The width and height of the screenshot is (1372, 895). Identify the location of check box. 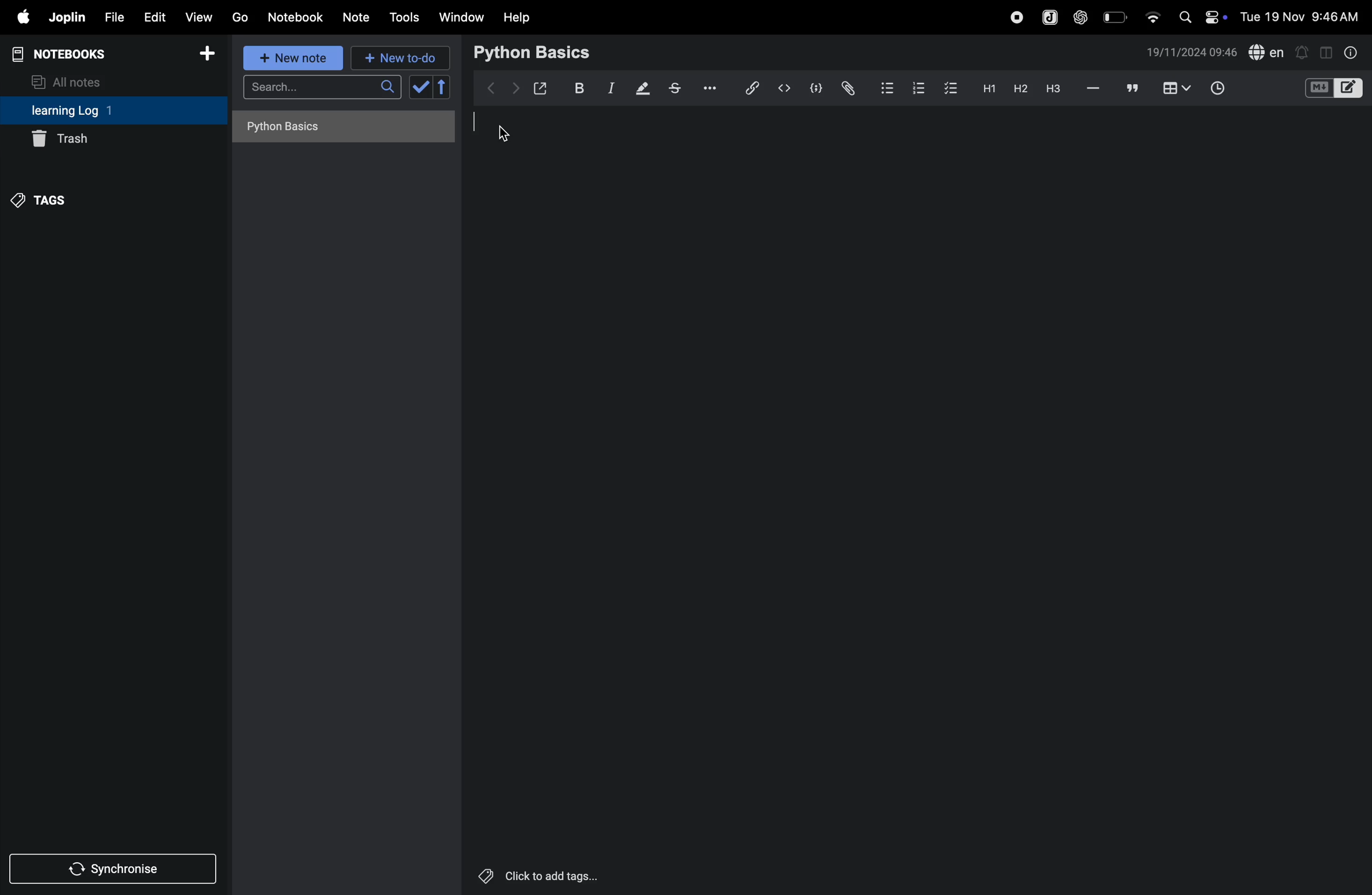
(432, 87).